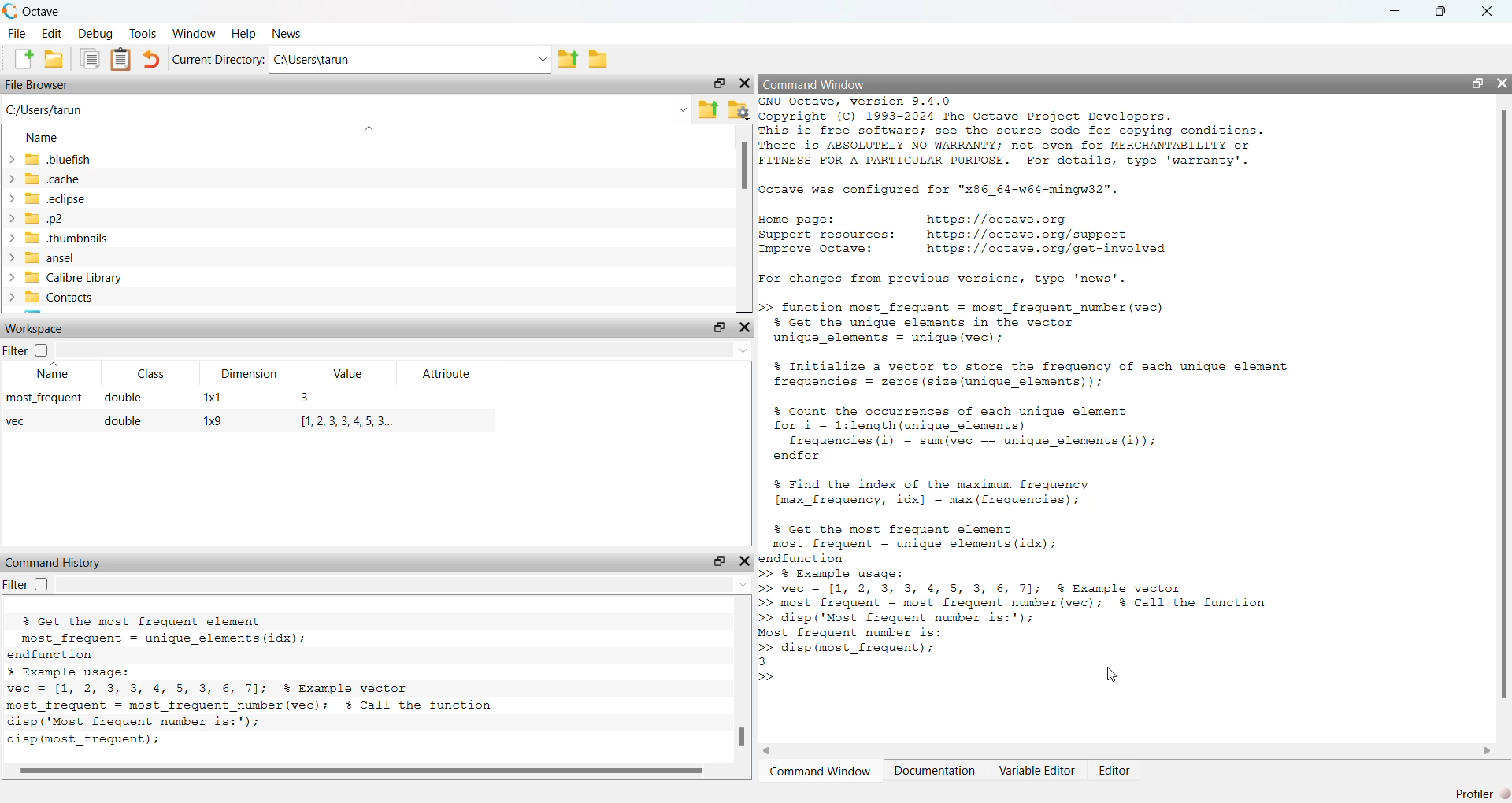 This screenshot has height=803, width=1512. Describe the element at coordinates (369, 772) in the screenshot. I see `horizontal scroll bar` at that location.